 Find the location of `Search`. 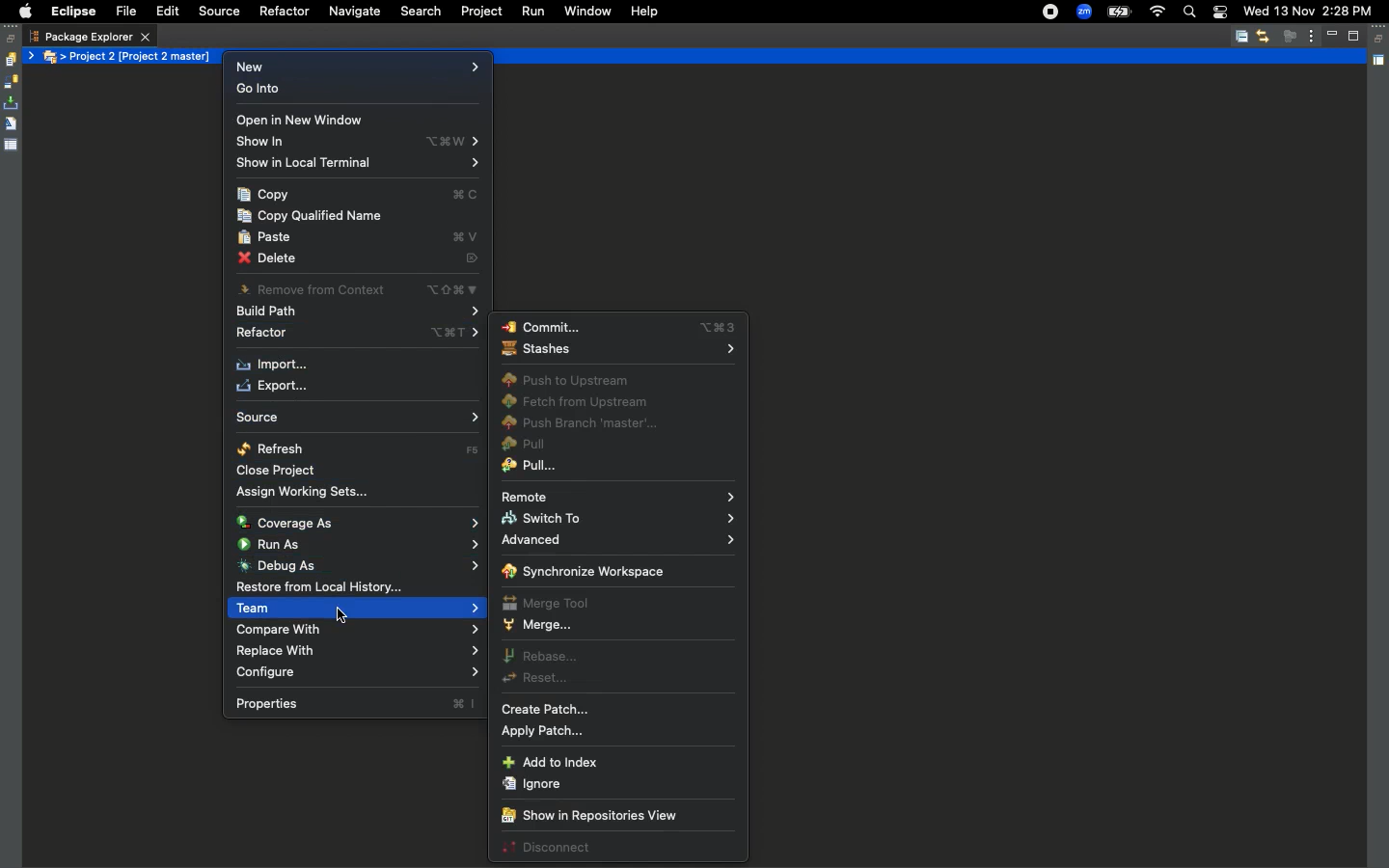

Search is located at coordinates (421, 12).